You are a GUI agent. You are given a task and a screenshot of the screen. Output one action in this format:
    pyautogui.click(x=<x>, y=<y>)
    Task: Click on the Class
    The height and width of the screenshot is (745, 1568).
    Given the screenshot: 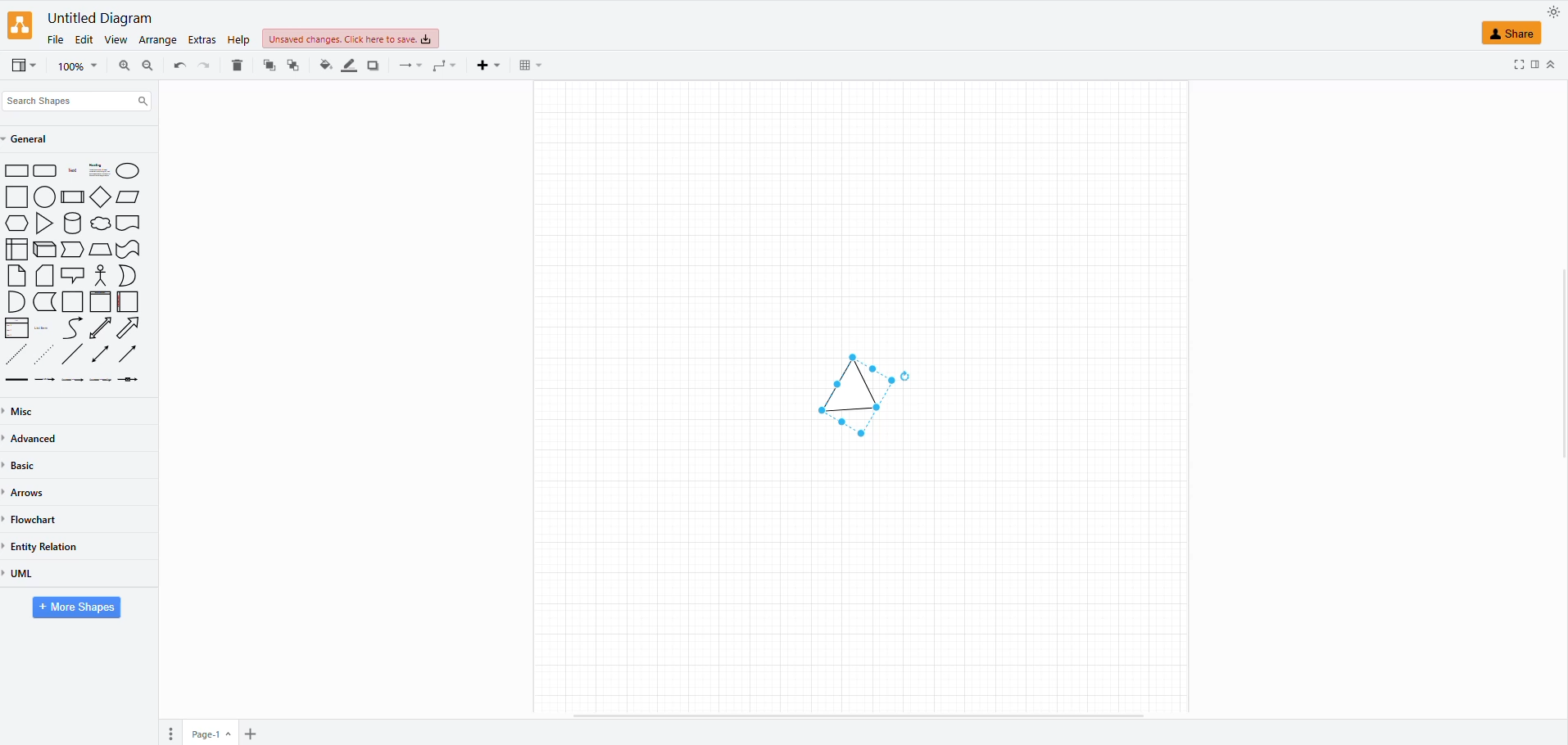 What is the action you would take?
    pyautogui.click(x=17, y=328)
    